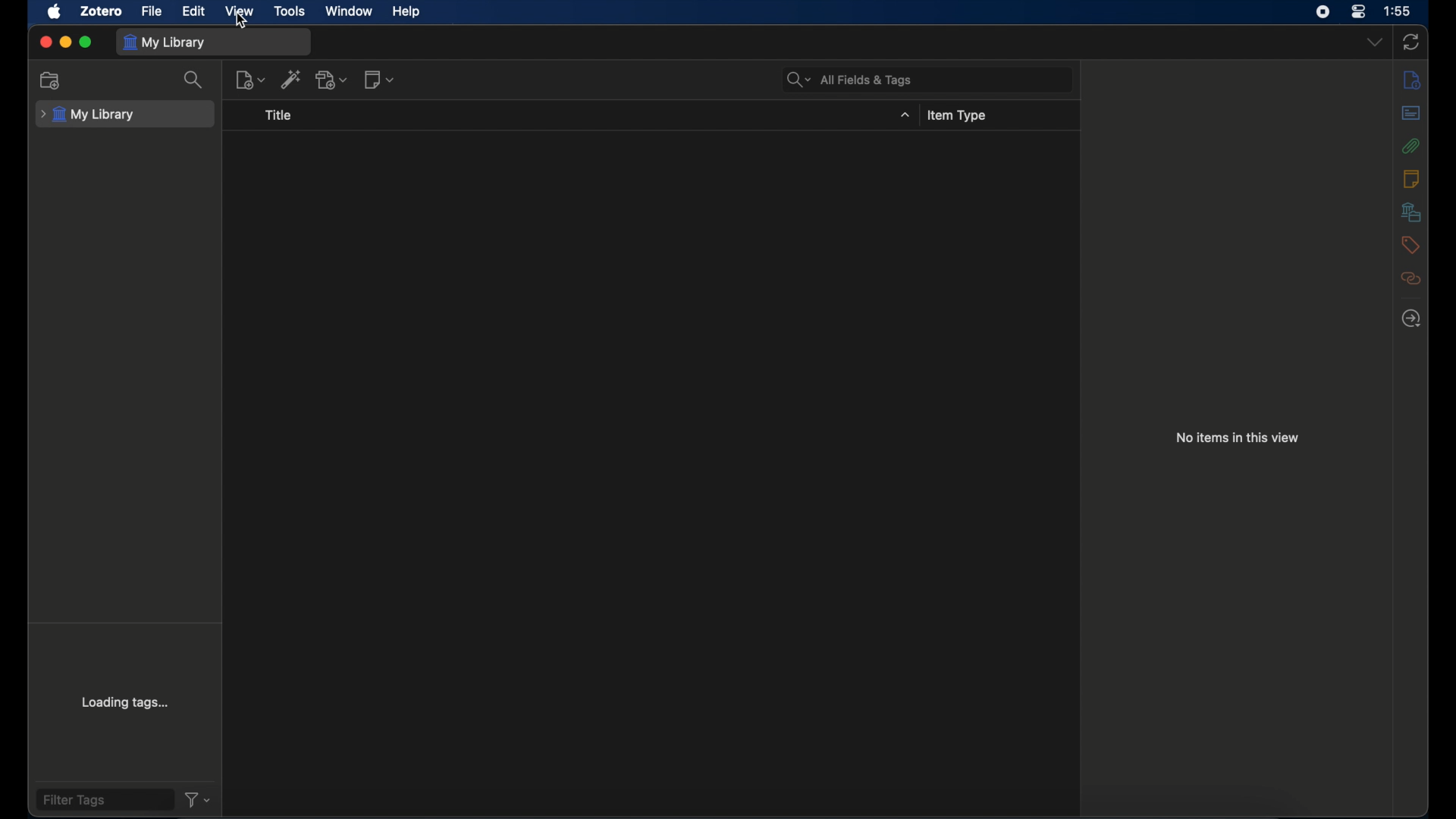  Describe the element at coordinates (65, 42) in the screenshot. I see `minimize` at that location.